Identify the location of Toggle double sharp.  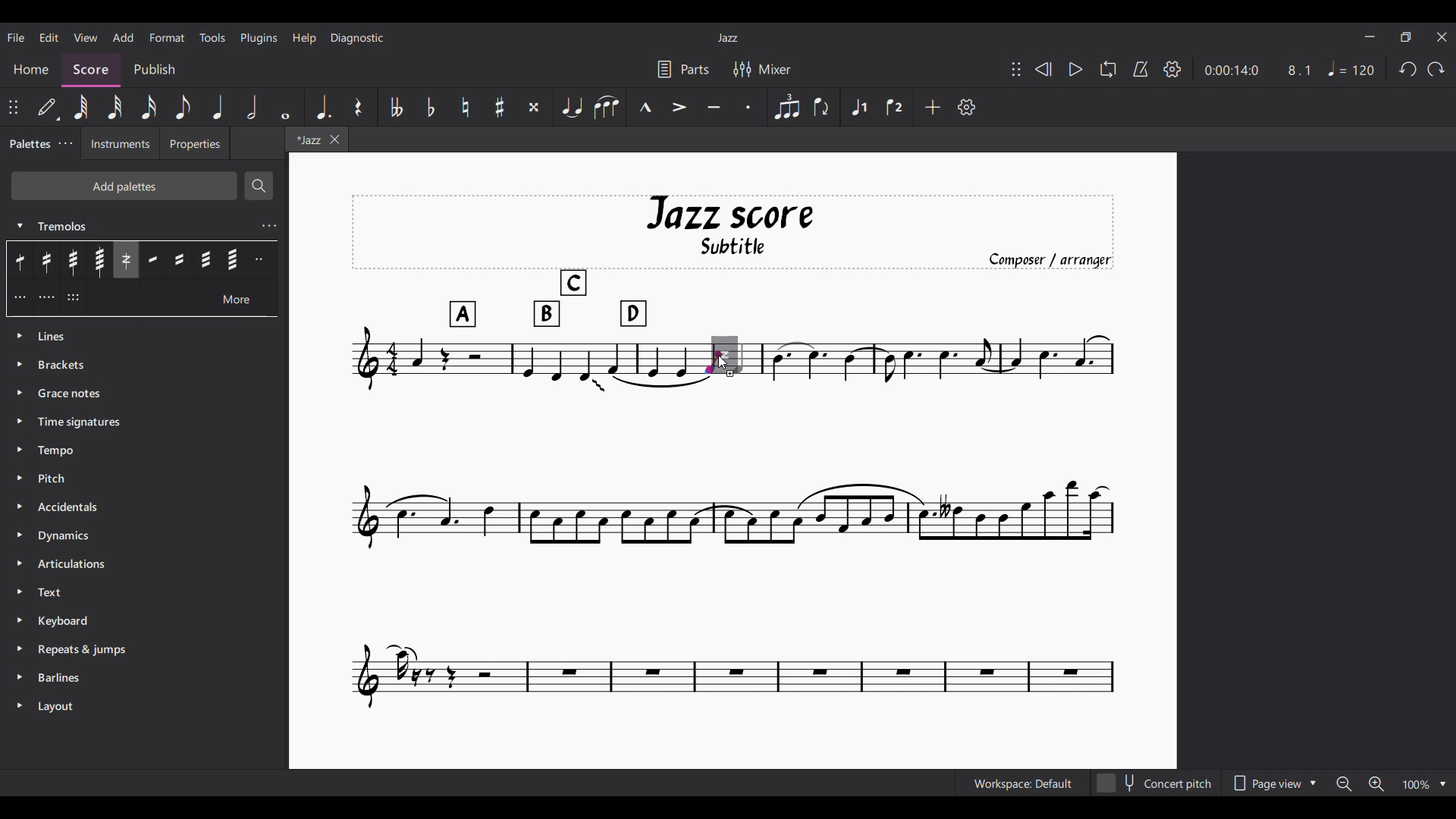
(534, 107).